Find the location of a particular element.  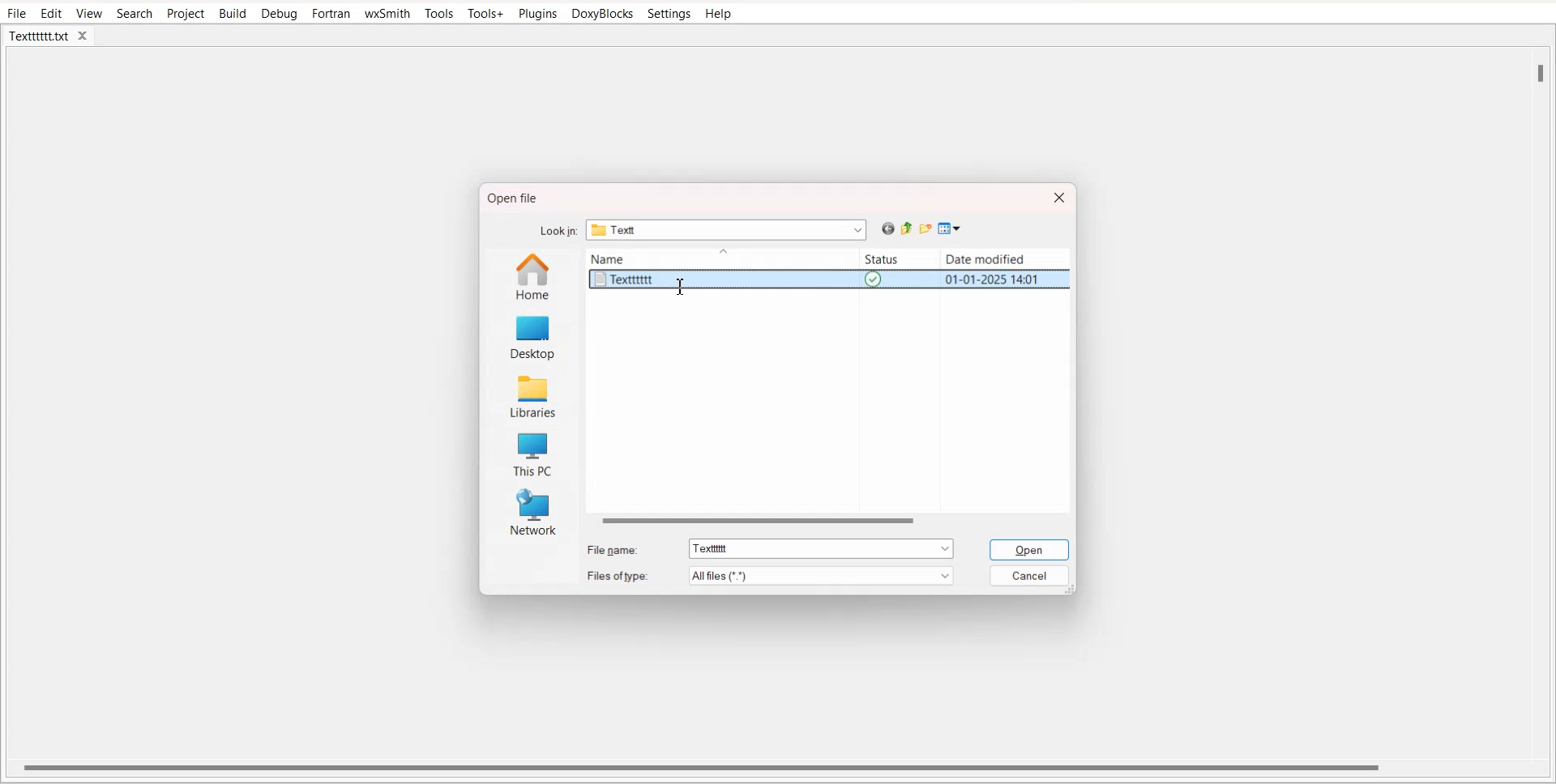

Settings is located at coordinates (669, 13).